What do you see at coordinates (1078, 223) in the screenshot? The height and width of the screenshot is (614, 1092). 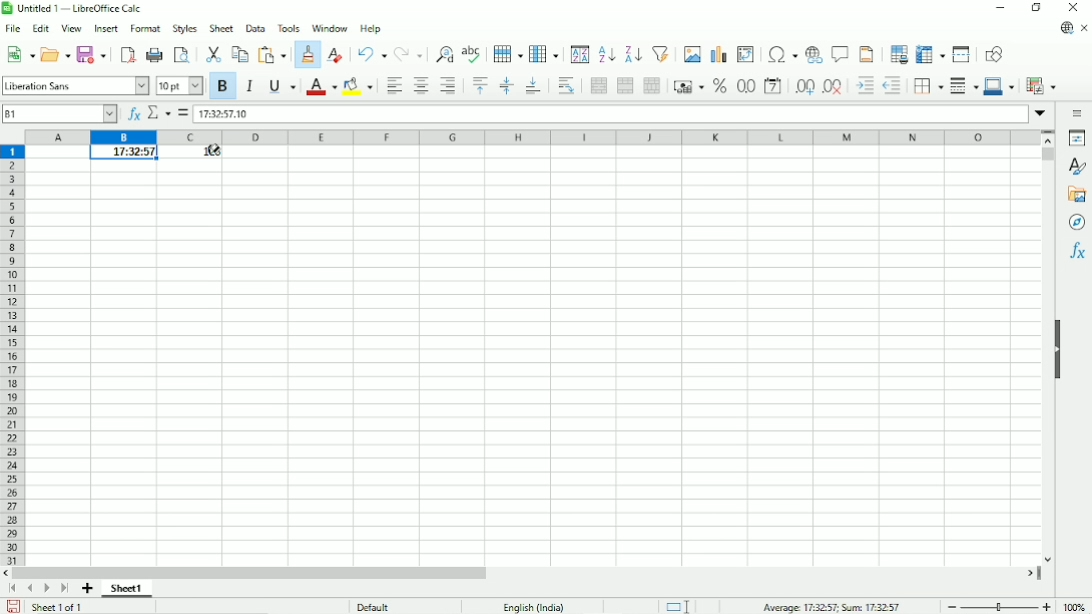 I see `Navigator` at bounding box center [1078, 223].